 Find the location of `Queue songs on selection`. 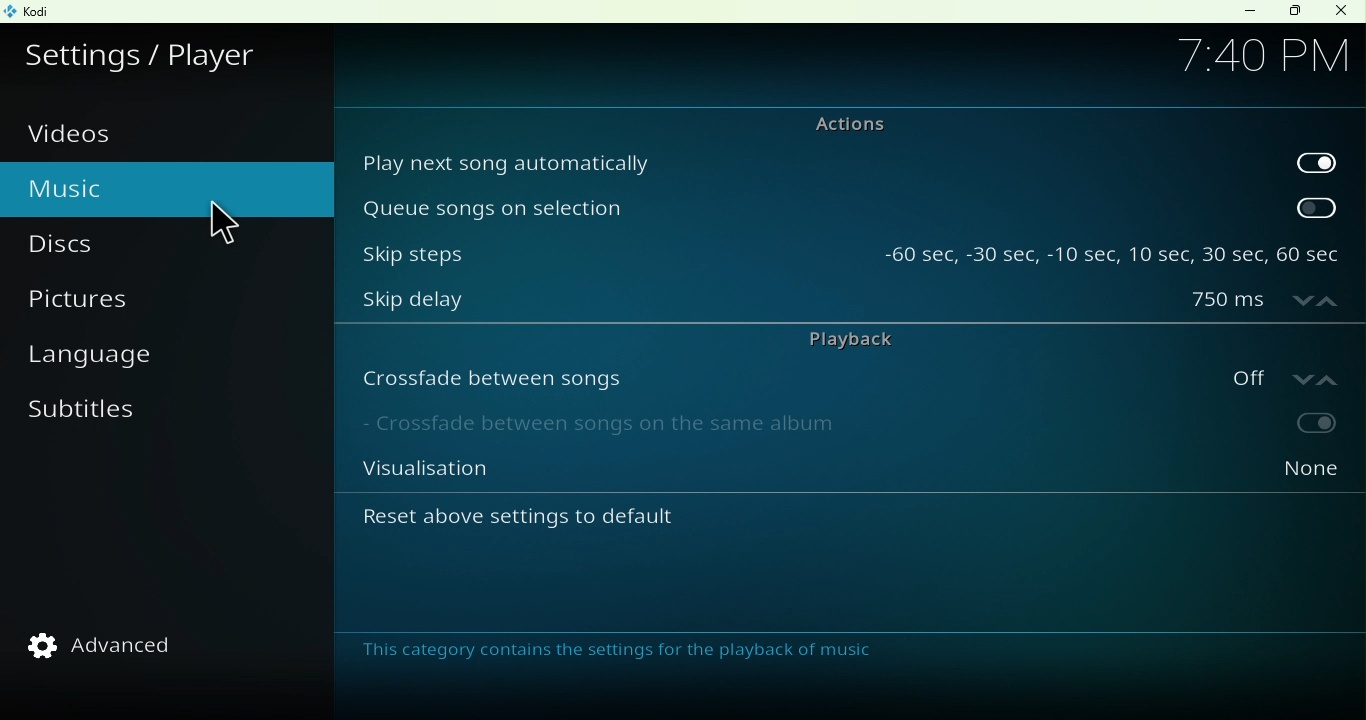

Queue songs on selection is located at coordinates (810, 207).